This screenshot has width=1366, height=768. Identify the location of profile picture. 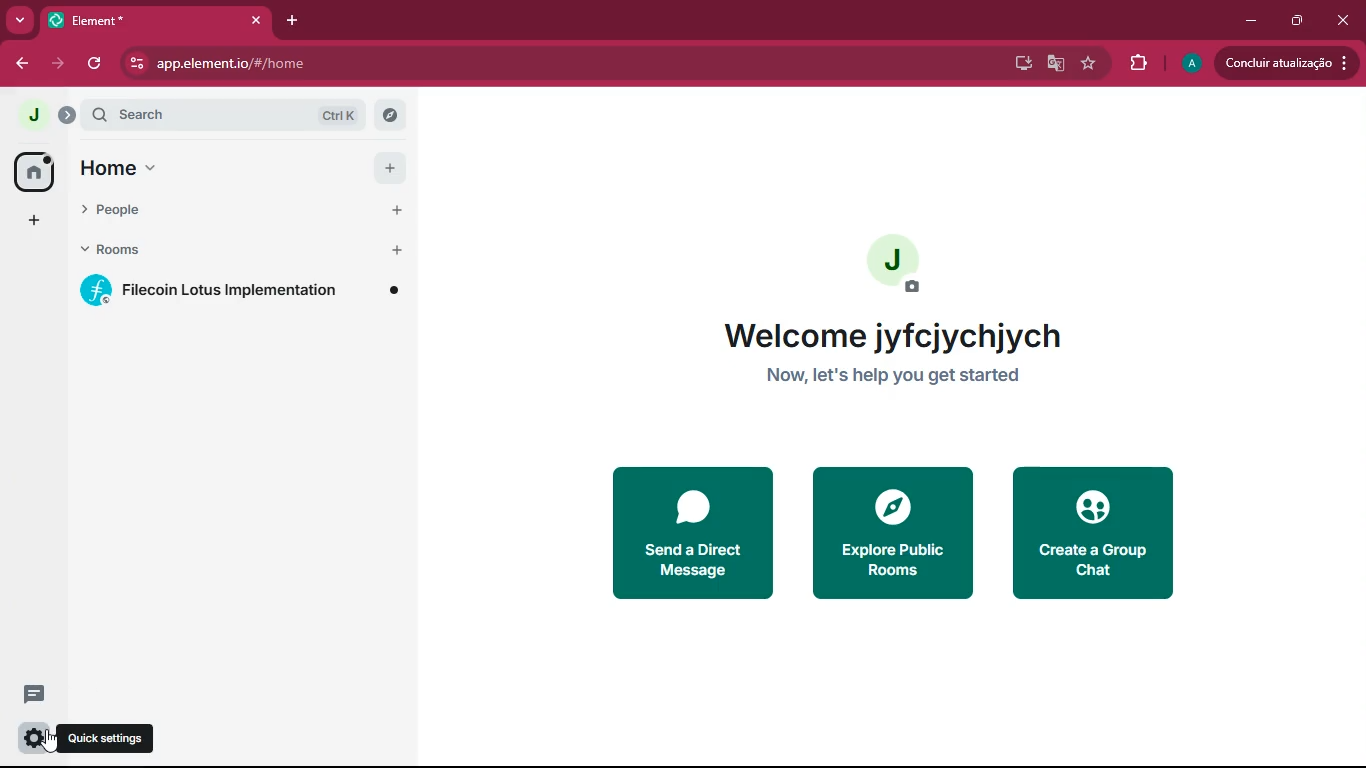
(900, 264).